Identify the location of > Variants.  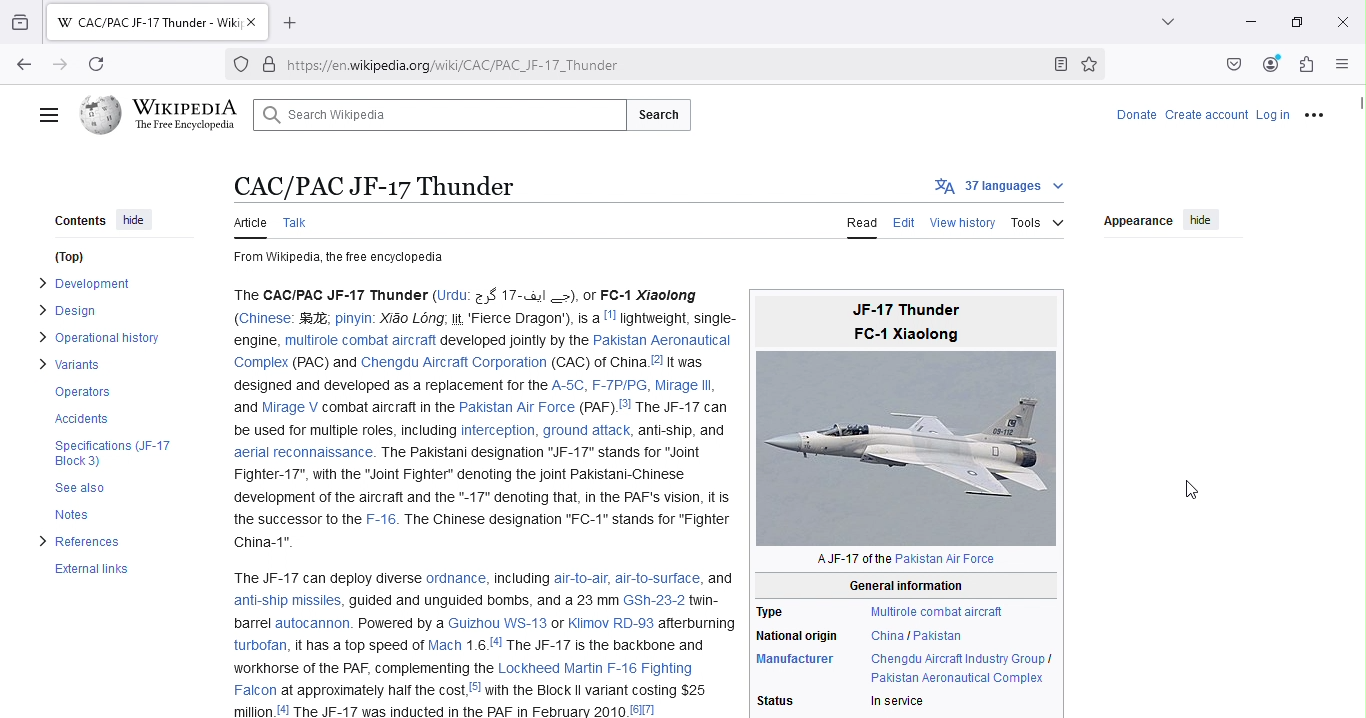
(70, 363).